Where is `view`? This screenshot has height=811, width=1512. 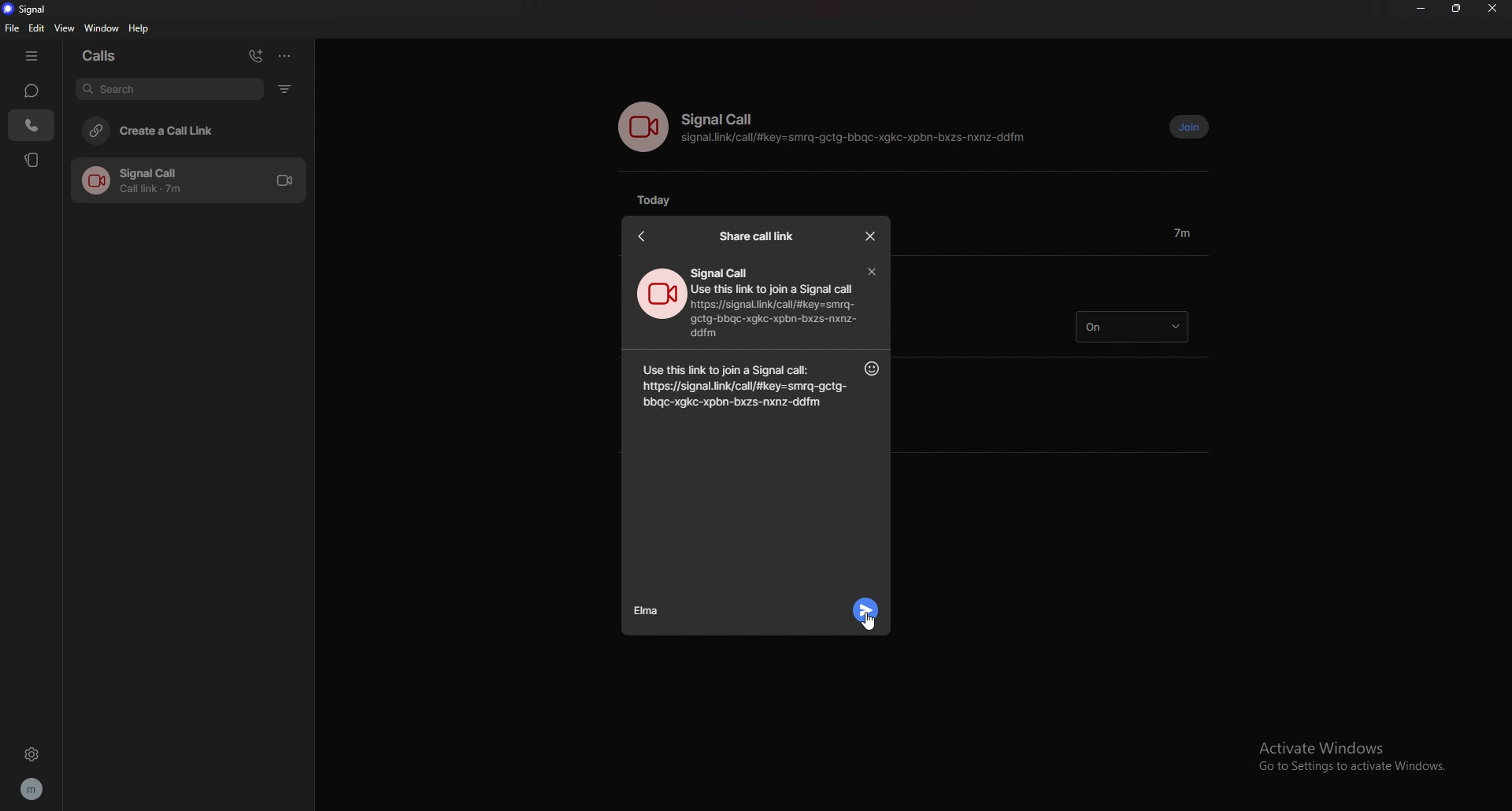 view is located at coordinates (64, 28).